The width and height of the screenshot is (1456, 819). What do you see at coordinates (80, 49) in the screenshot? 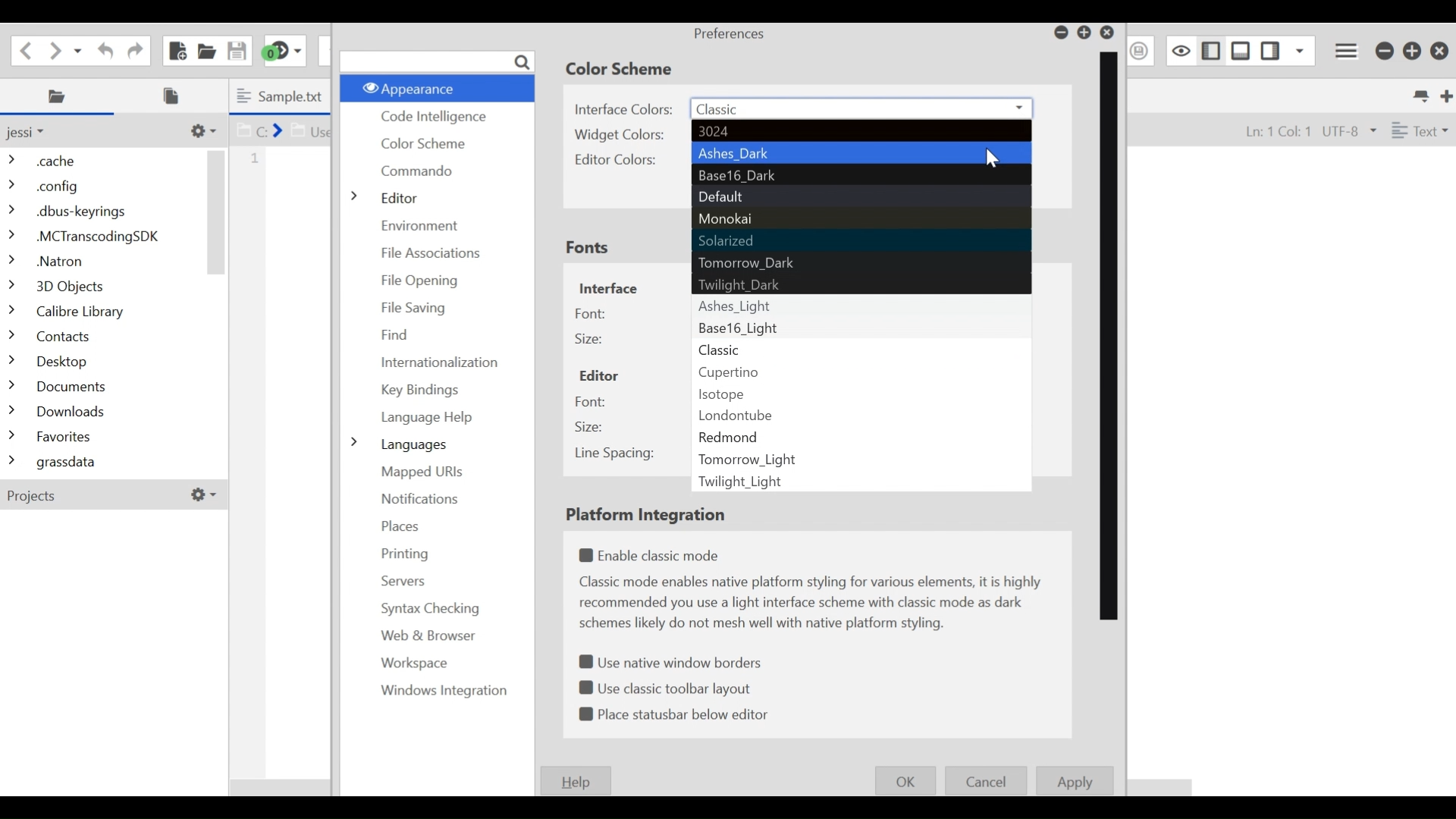
I see `Recent locations` at bounding box center [80, 49].